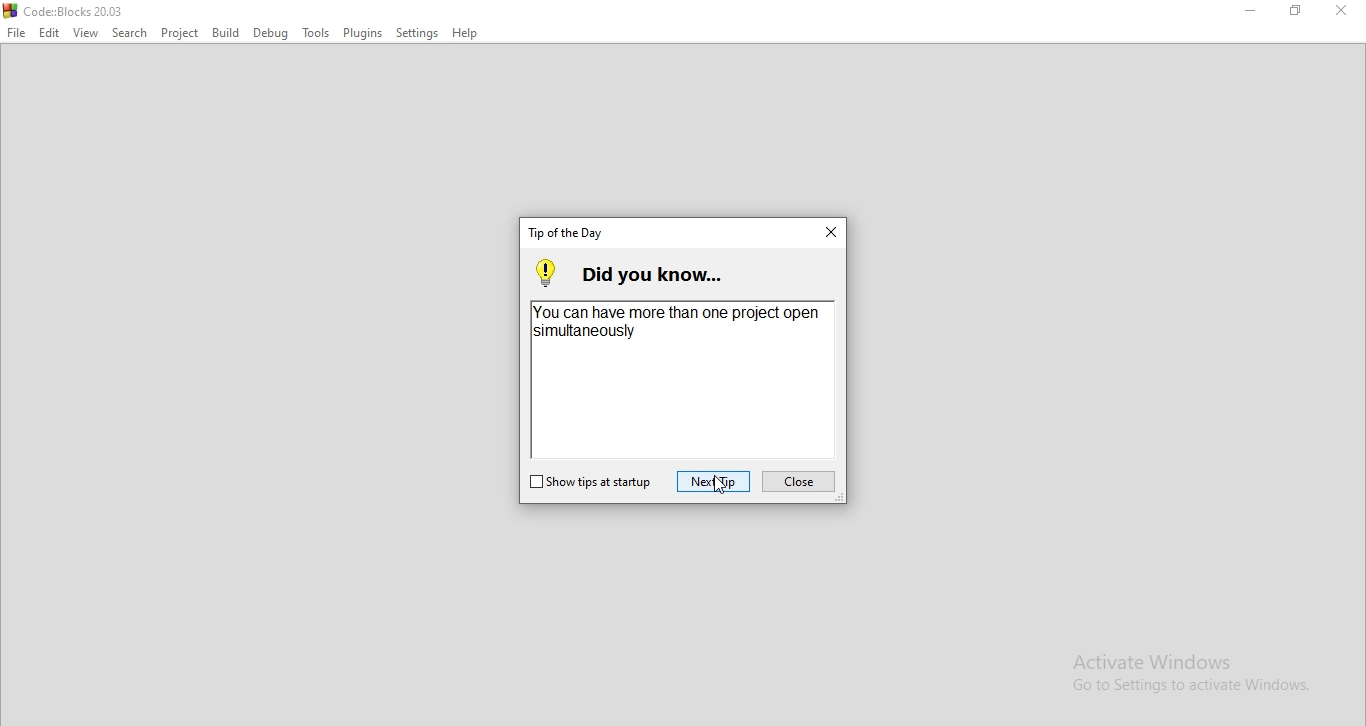 The image size is (1366, 726). Describe the element at coordinates (720, 486) in the screenshot. I see `cursor on Next Tip` at that location.